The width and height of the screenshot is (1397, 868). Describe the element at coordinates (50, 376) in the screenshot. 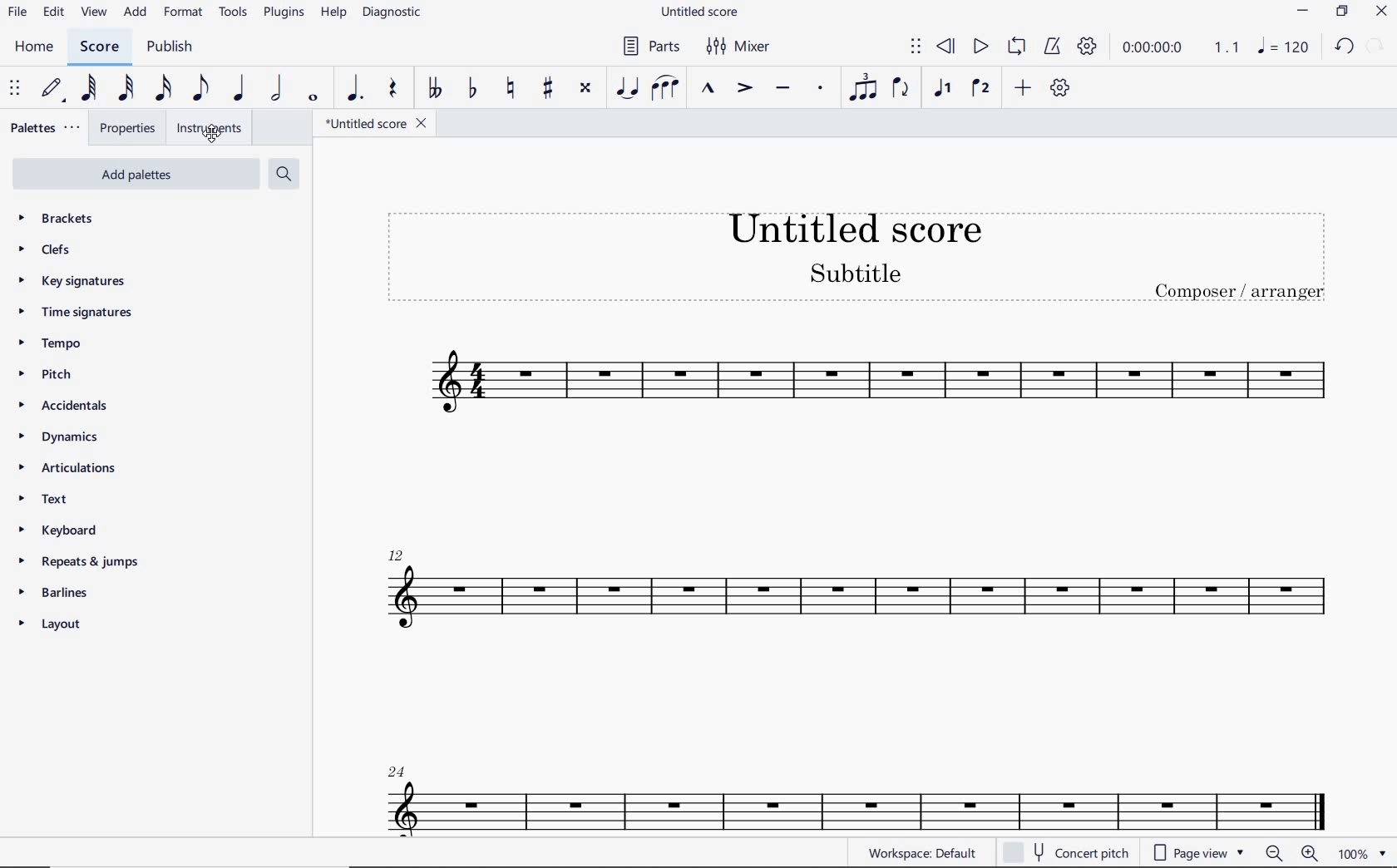

I see `pitch` at that location.